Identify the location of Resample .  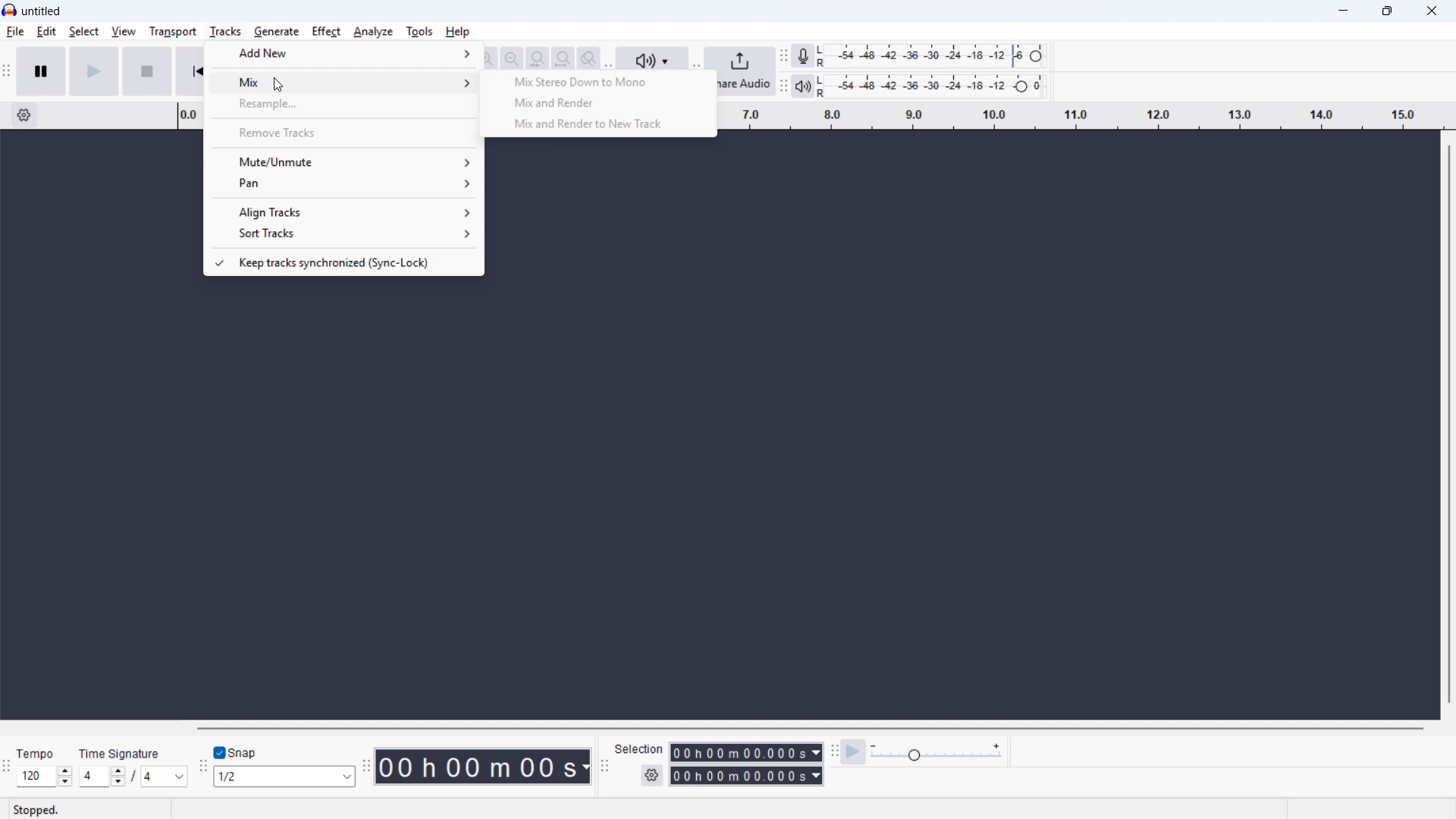
(342, 105).